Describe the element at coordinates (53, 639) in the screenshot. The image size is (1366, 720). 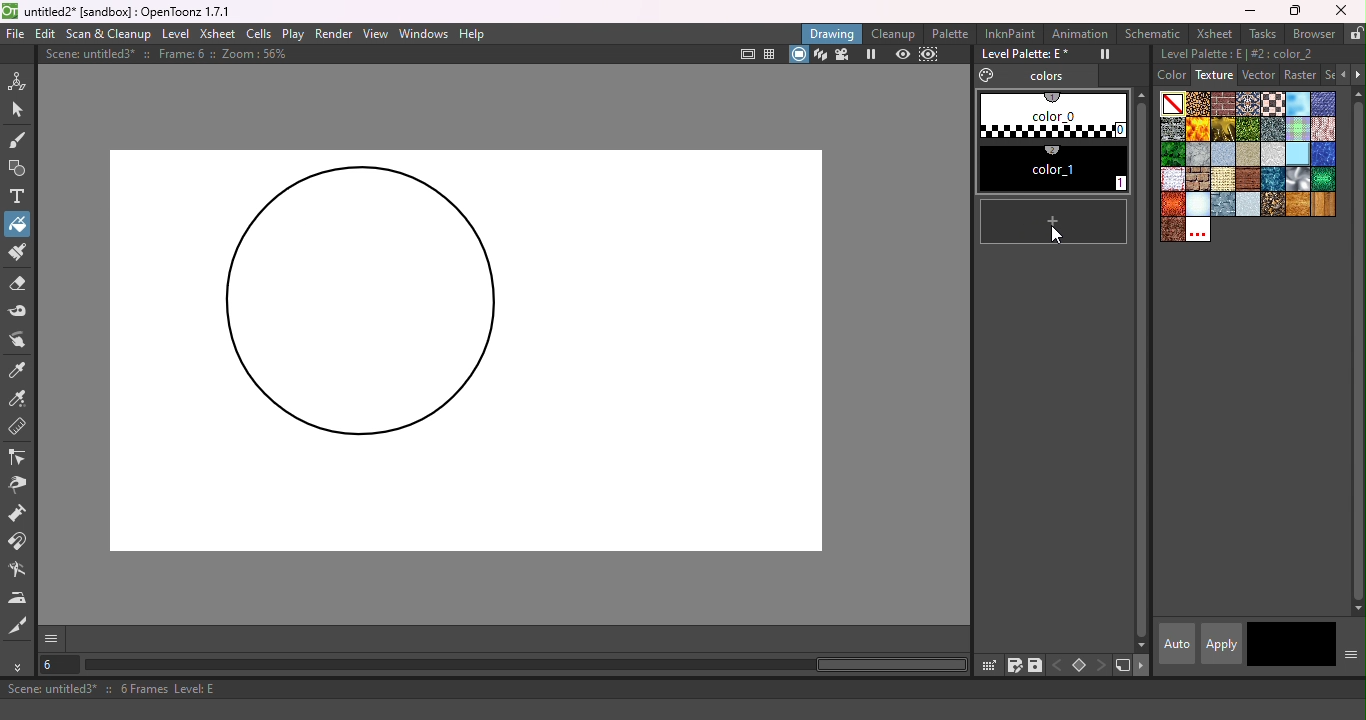
I see `GUI show/hide` at that location.